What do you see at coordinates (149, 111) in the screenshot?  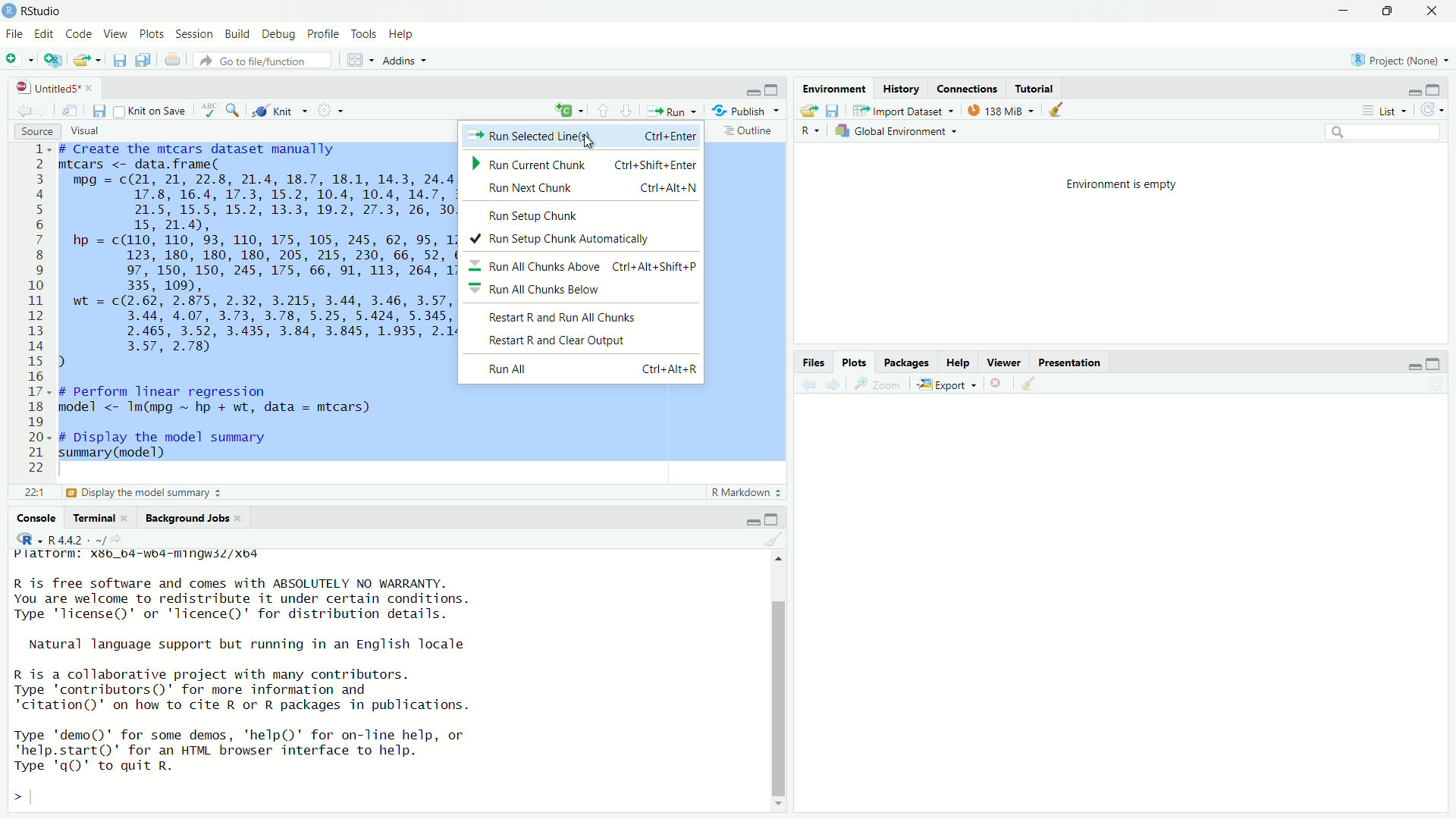 I see `knit on save` at bounding box center [149, 111].